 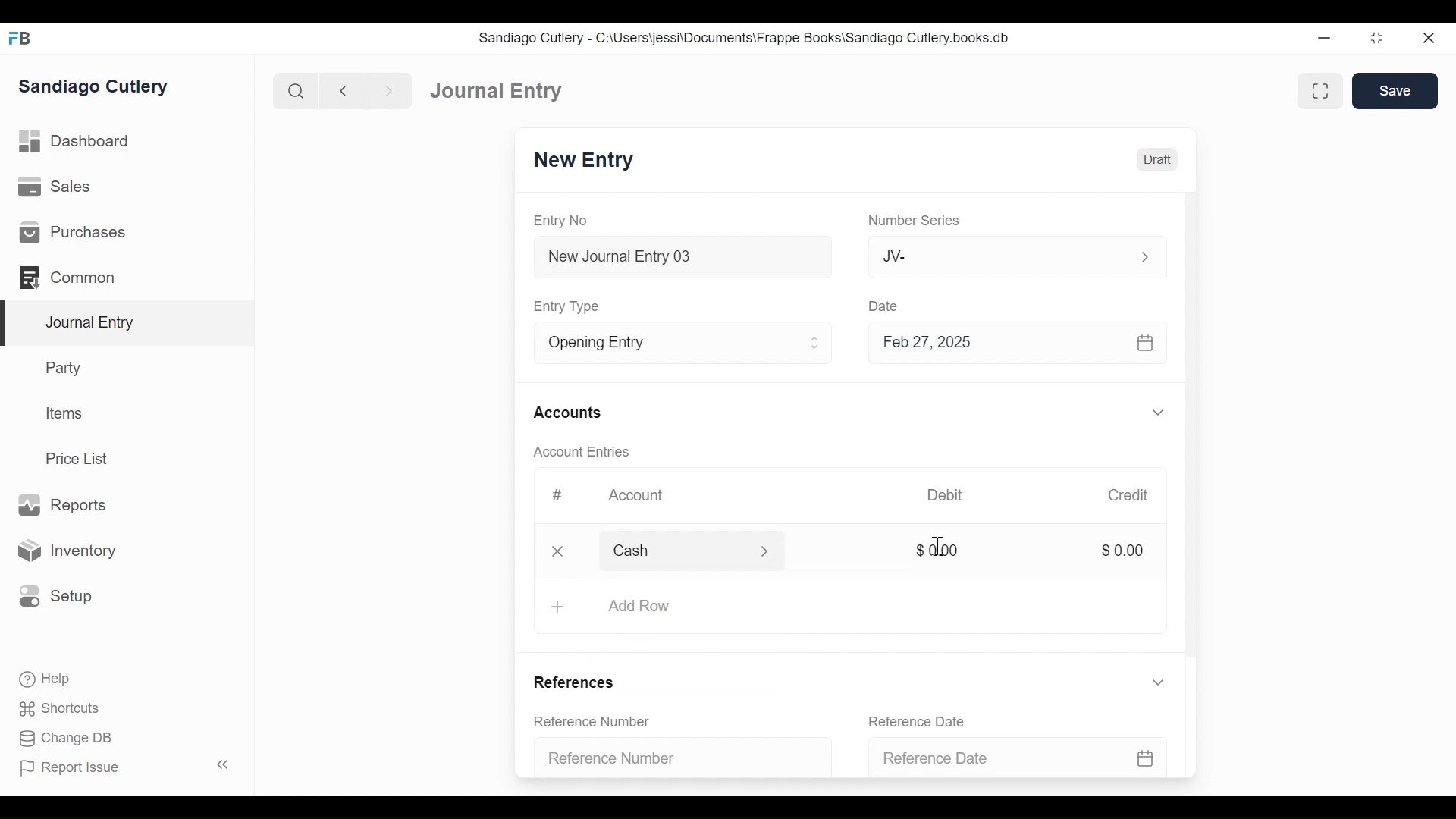 What do you see at coordinates (1130, 495) in the screenshot?
I see `Credit` at bounding box center [1130, 495].